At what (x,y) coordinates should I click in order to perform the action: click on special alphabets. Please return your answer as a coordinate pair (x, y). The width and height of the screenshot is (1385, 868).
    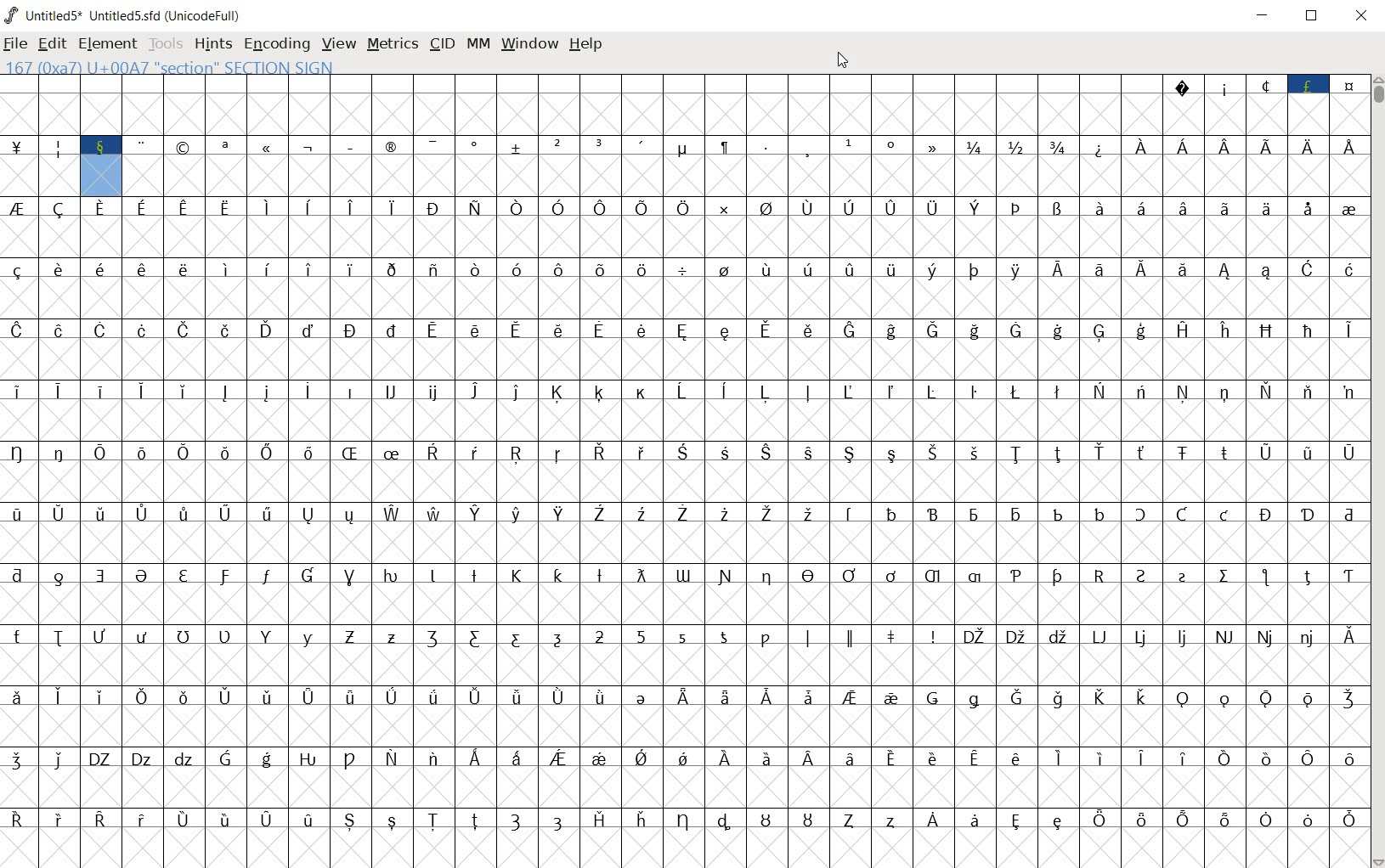
    Looking at the image, I should click on (1096, 349).